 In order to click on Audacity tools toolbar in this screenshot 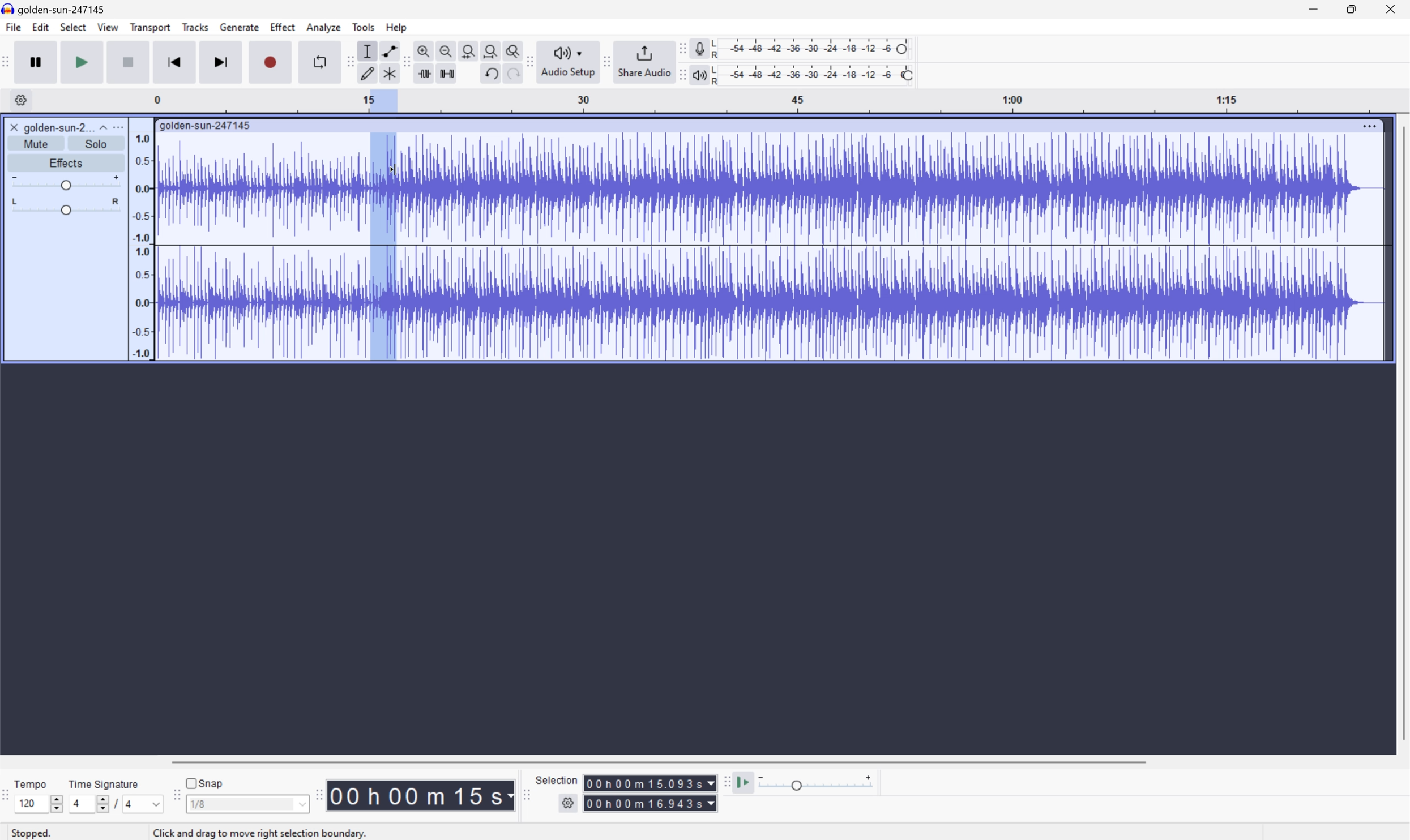, I will do `click(403, 61)`.